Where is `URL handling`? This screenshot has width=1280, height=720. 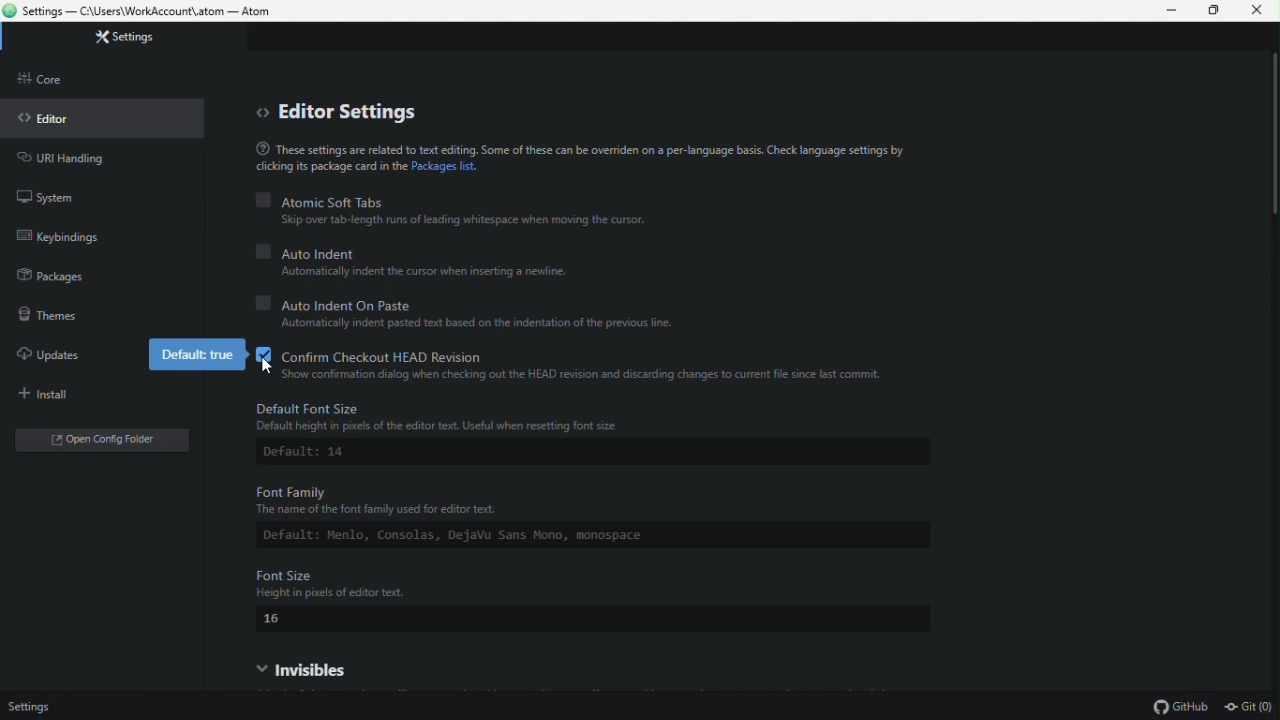 URL handling is located at coordinates (83, 160).